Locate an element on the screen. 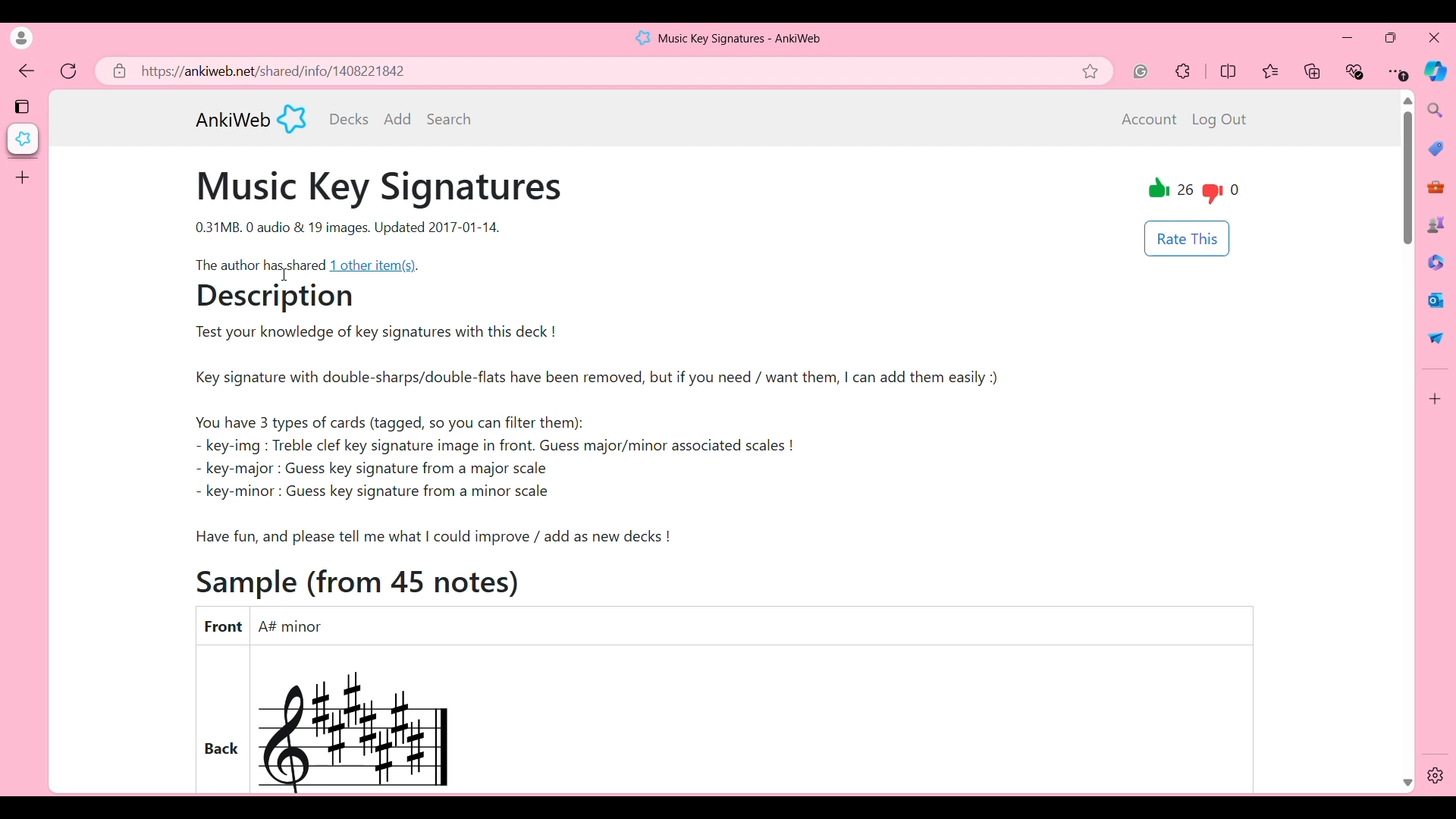  Customize browser is located at coordinates (1436, 399).